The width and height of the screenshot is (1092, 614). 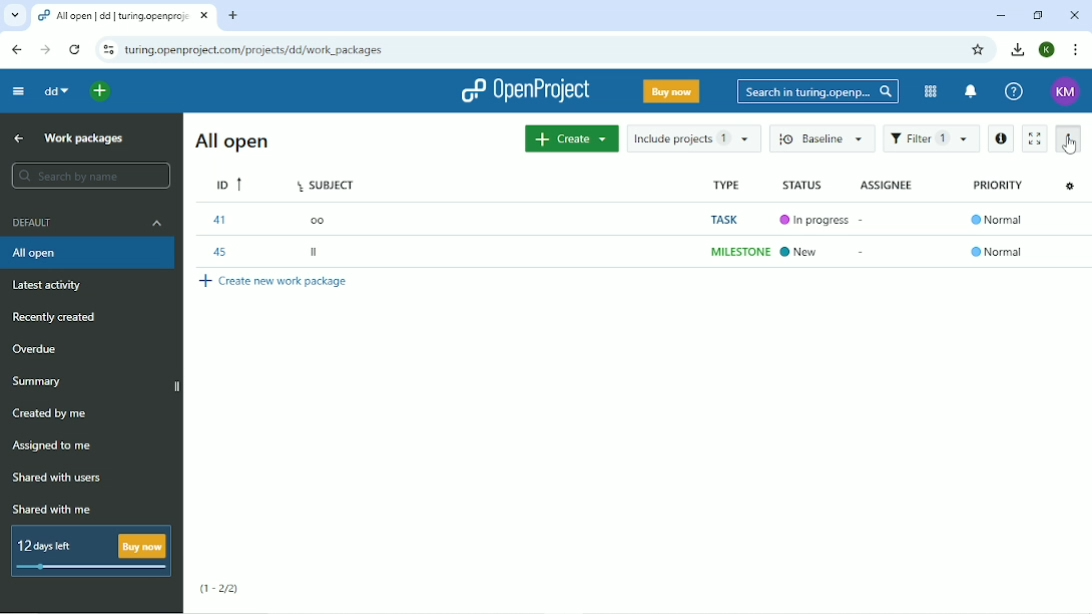 What do you see at coordinates (1038, 14) in the screenshot?
I see `Restore down` at bounding box center [1038, 14].